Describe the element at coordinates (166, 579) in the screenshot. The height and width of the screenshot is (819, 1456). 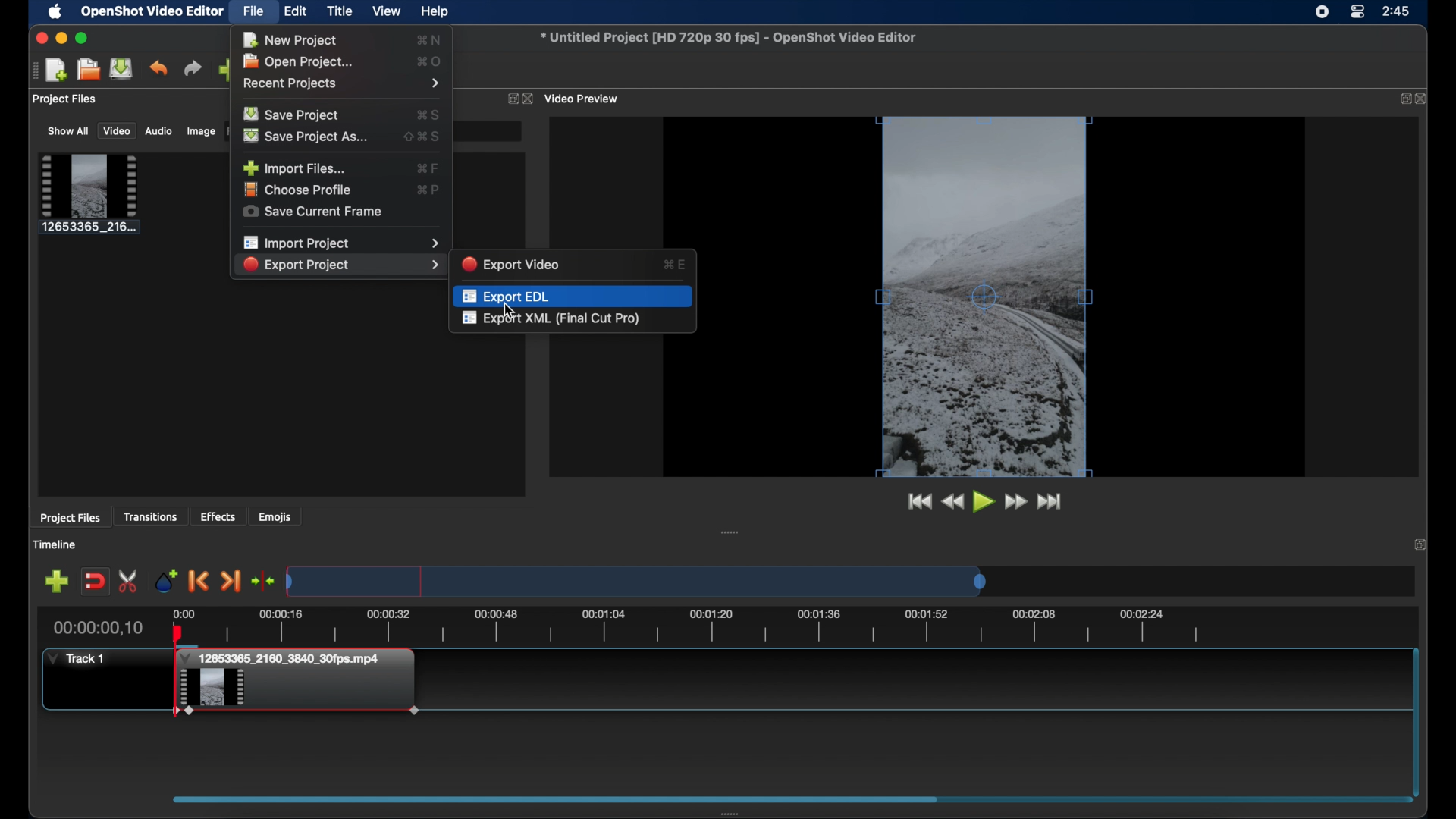
I see `add marker` at that location.